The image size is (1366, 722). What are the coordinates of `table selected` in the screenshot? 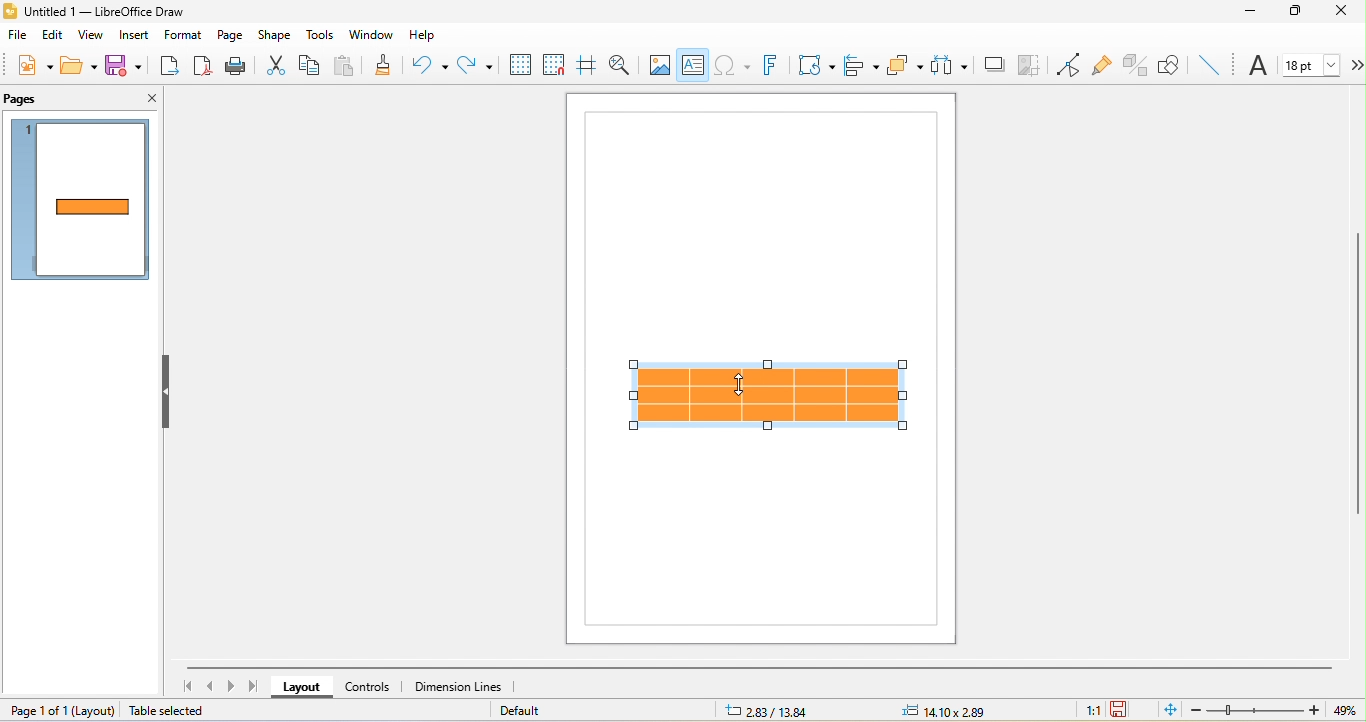 It's located at (170, 712).